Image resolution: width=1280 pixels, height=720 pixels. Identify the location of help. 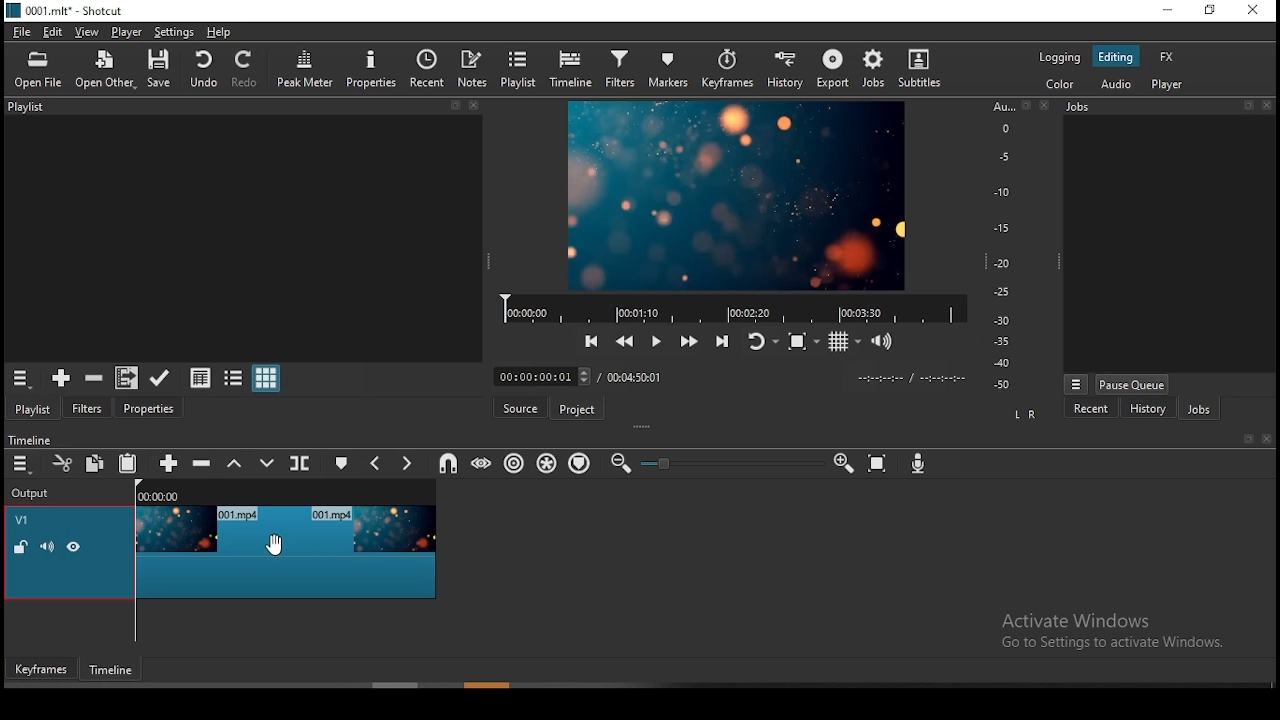
(224, 32).